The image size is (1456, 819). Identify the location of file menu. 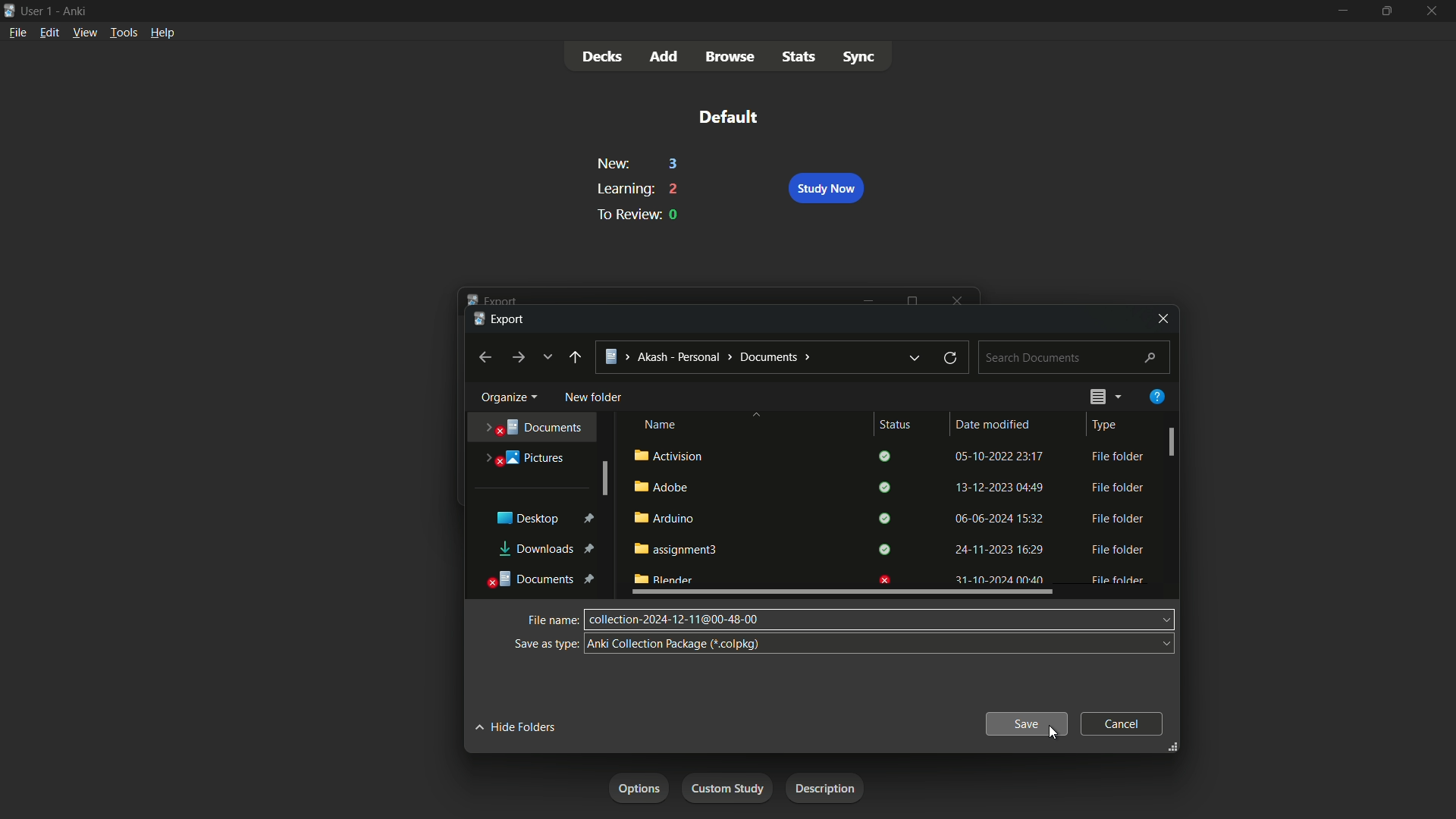
(20, 32).